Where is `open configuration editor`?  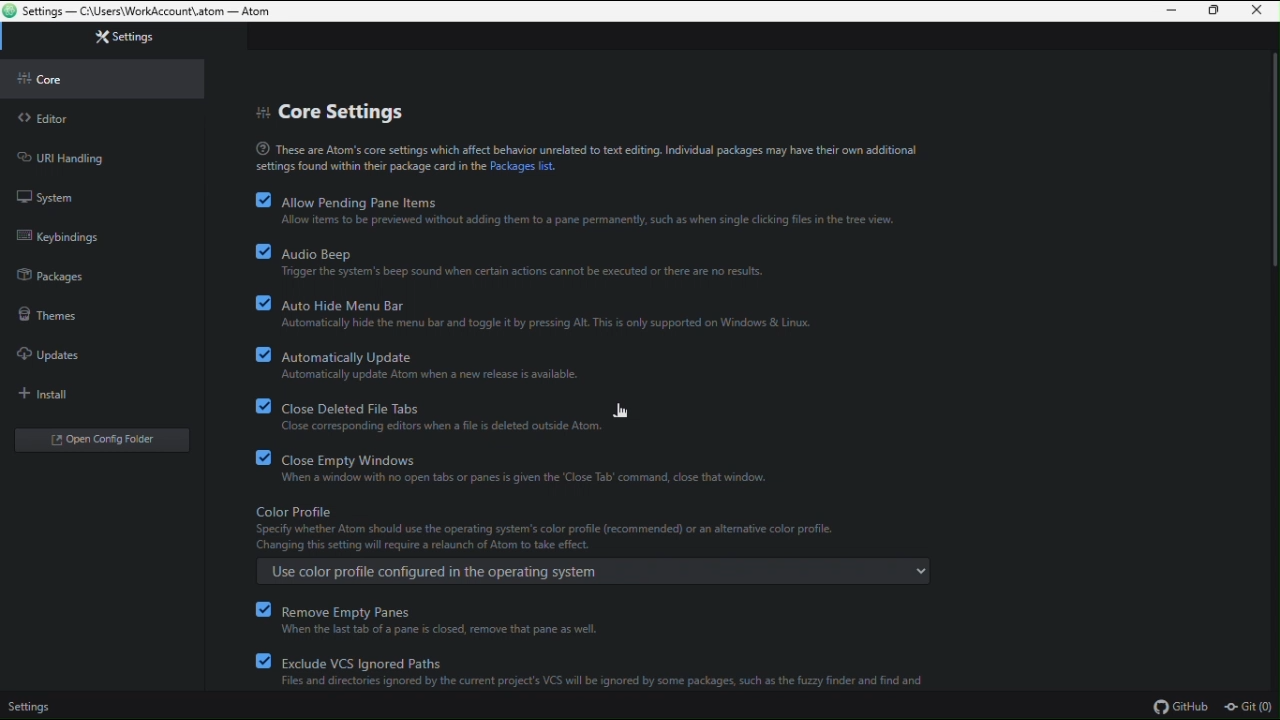
open configuration editor is located at coordinates (106, 441).